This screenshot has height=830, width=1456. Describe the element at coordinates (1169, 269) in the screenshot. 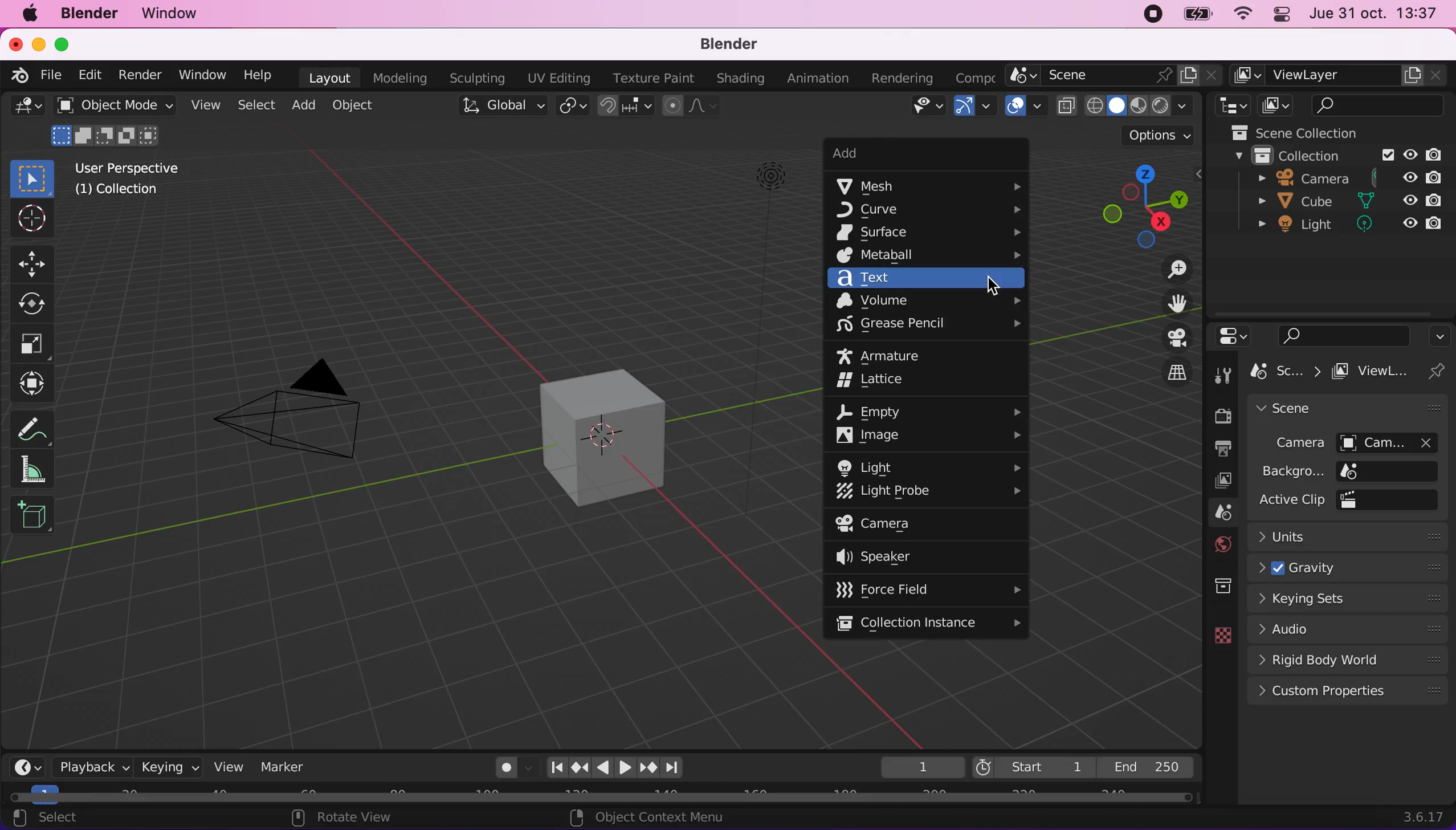

I see `zoom in/out` at that location.